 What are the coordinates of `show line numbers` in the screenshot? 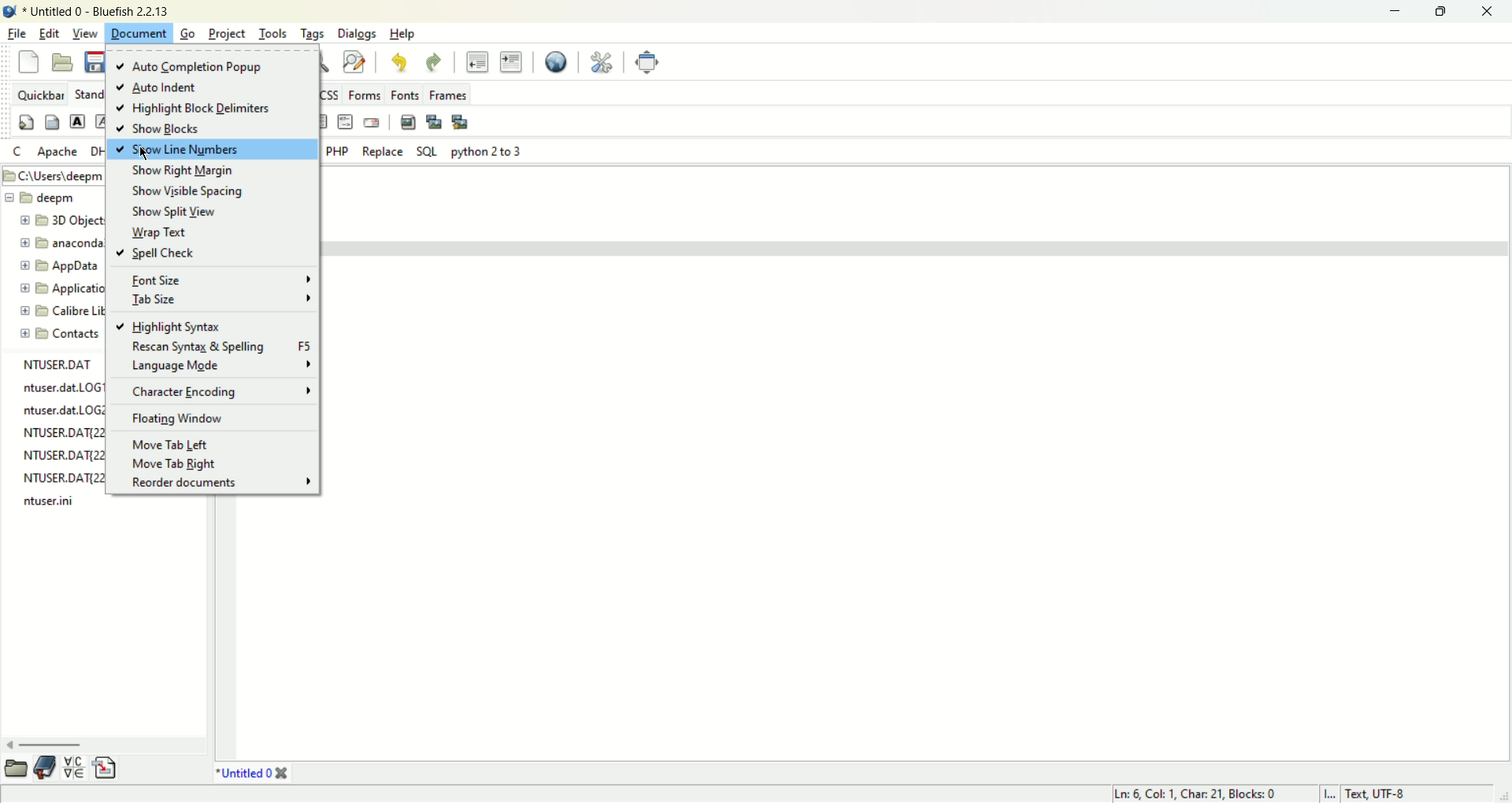 It's located at (211, 150).